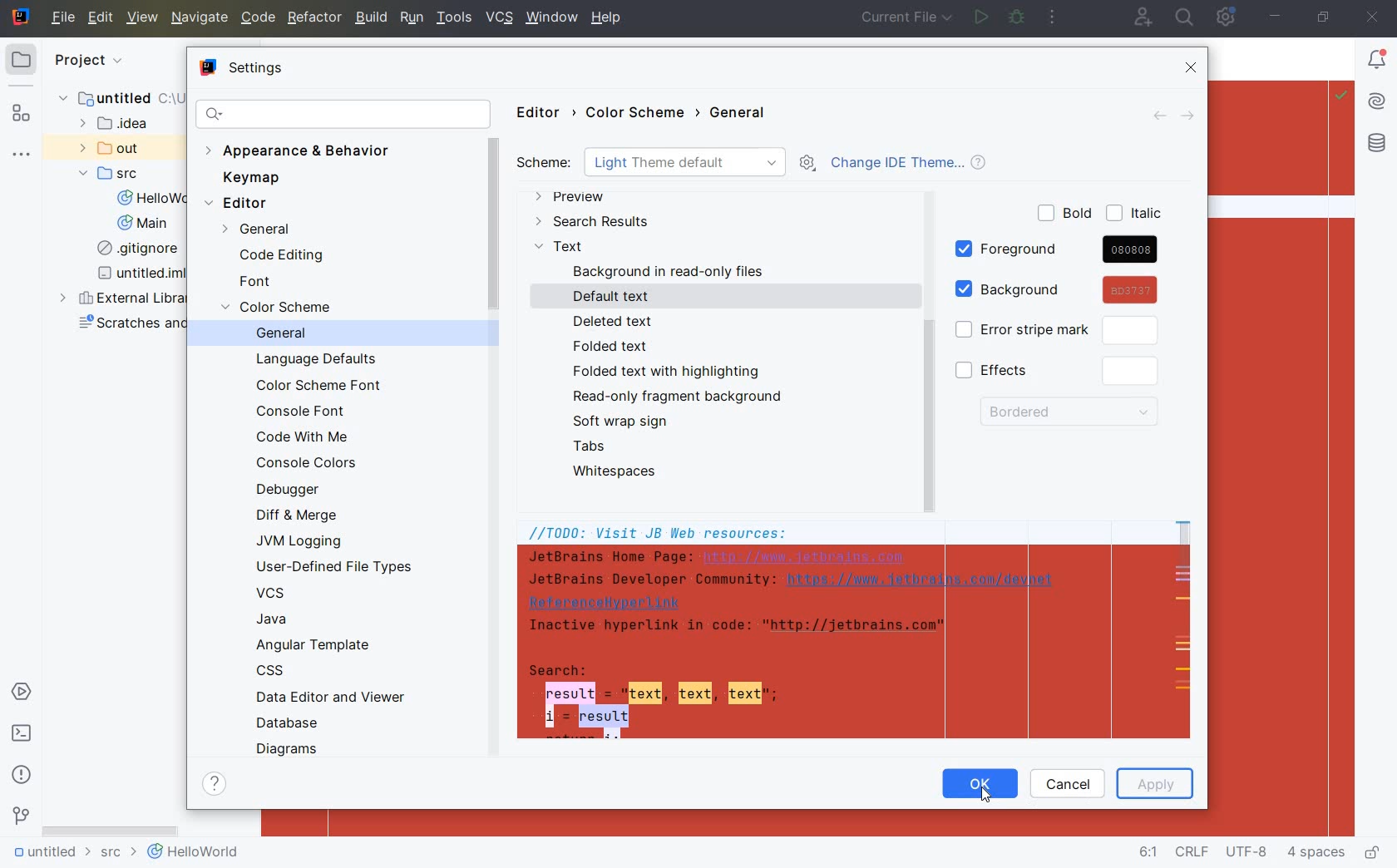  I want to click on click to customize, so click(1133, 332).